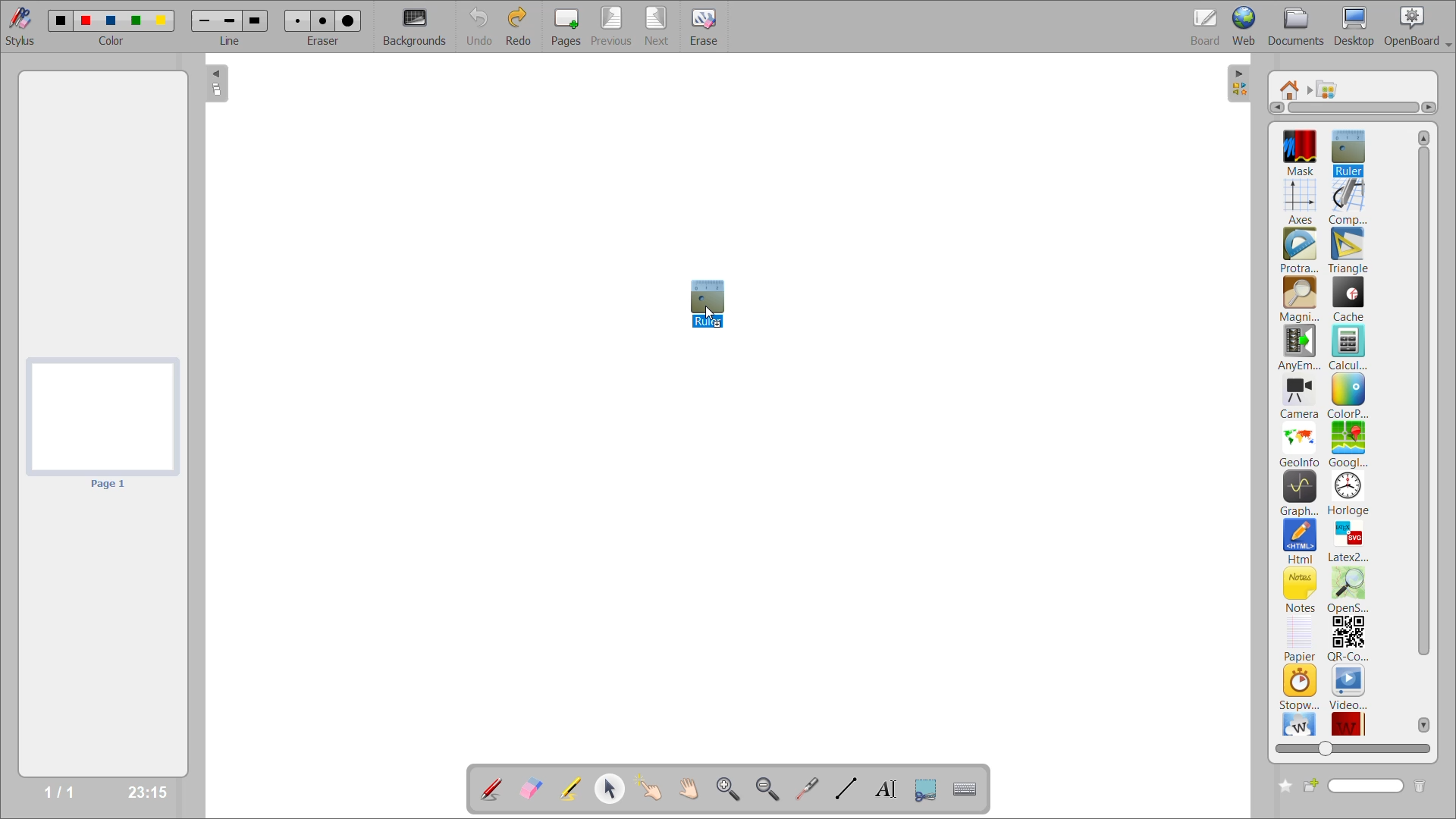 Image resolution: width=1456 pixels, height=819 pixels. What do you see at coordinates (159, 20) in the screenshot?
I see `color 5` at bounding box center [159, 20].